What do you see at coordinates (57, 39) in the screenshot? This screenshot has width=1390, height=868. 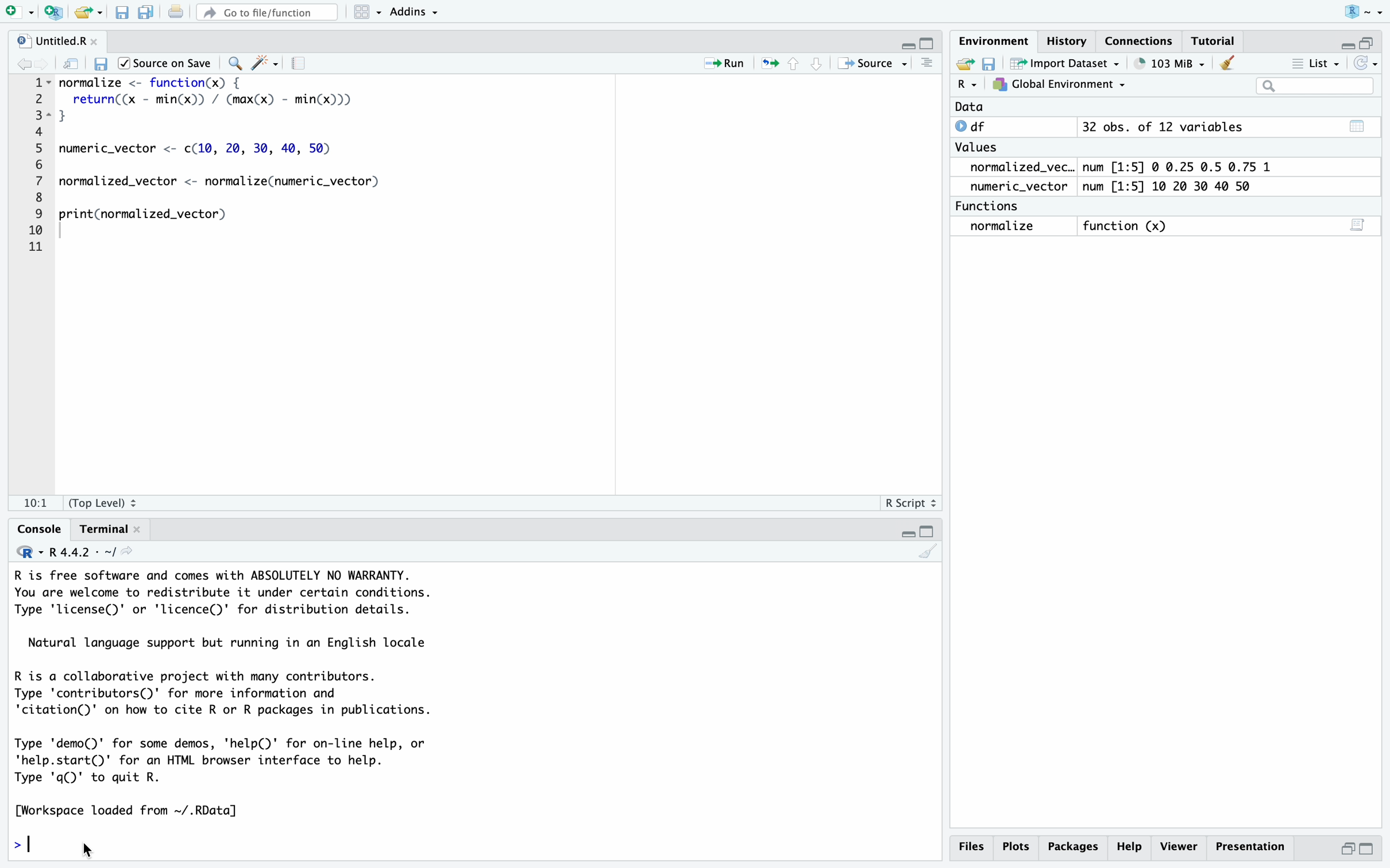 I see `Untitled.R` at bounding box center [57, 39].